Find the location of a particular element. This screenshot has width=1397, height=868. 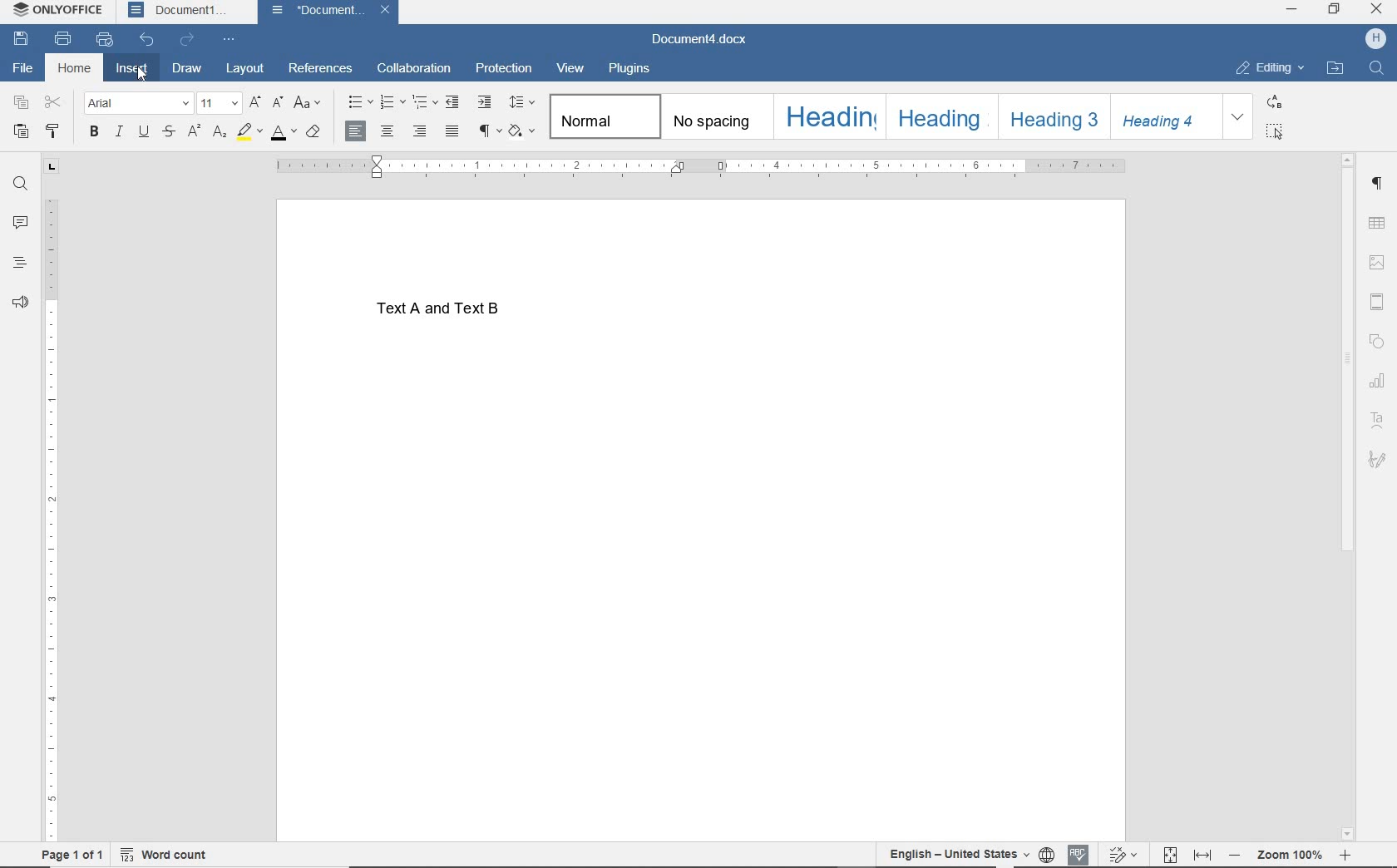

FIT TO WIDTH is located at coordinates (1204, 853).